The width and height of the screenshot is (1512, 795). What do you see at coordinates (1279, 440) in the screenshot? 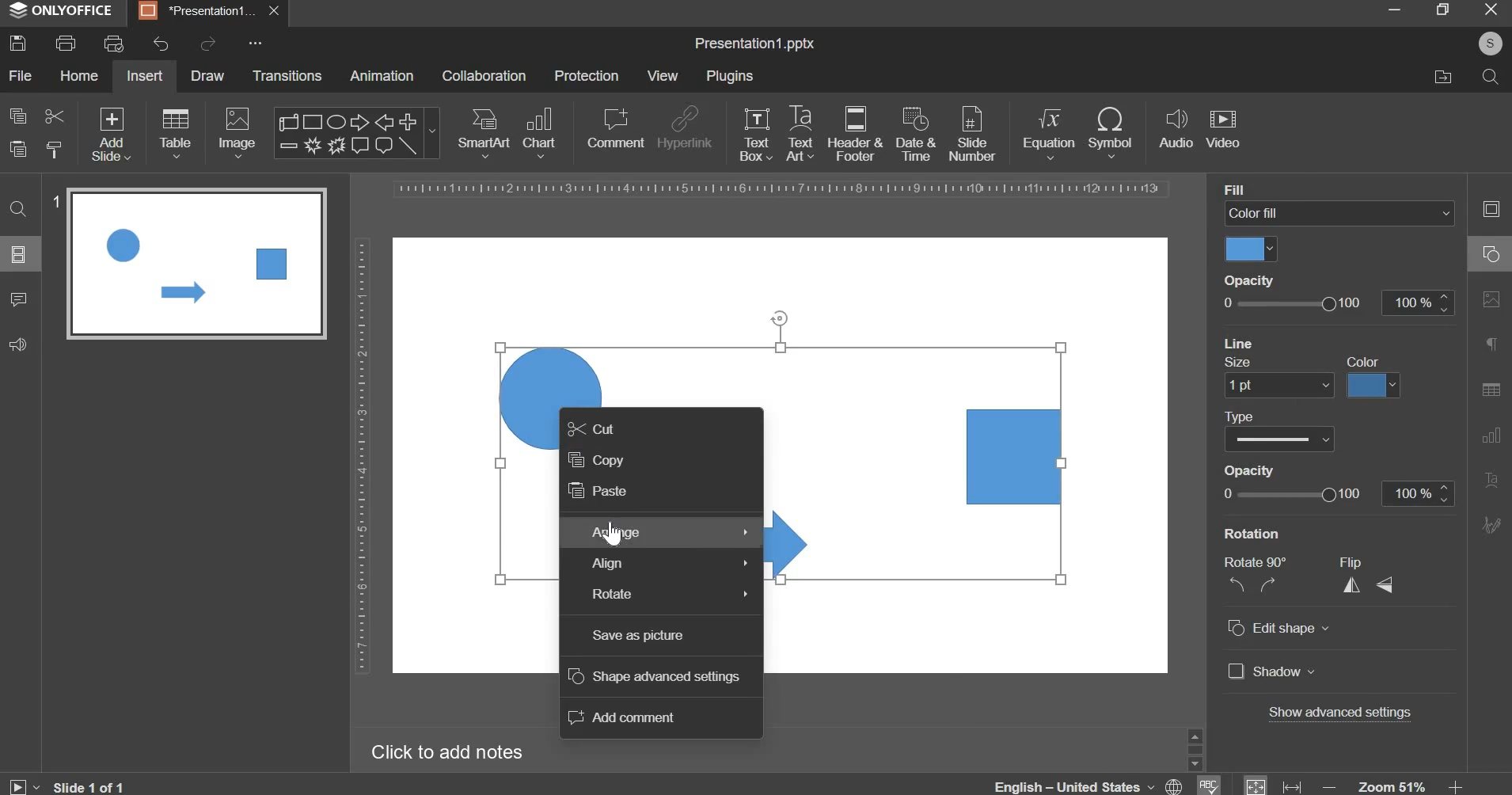
I see `line type` at bounding box center [1279, 440].